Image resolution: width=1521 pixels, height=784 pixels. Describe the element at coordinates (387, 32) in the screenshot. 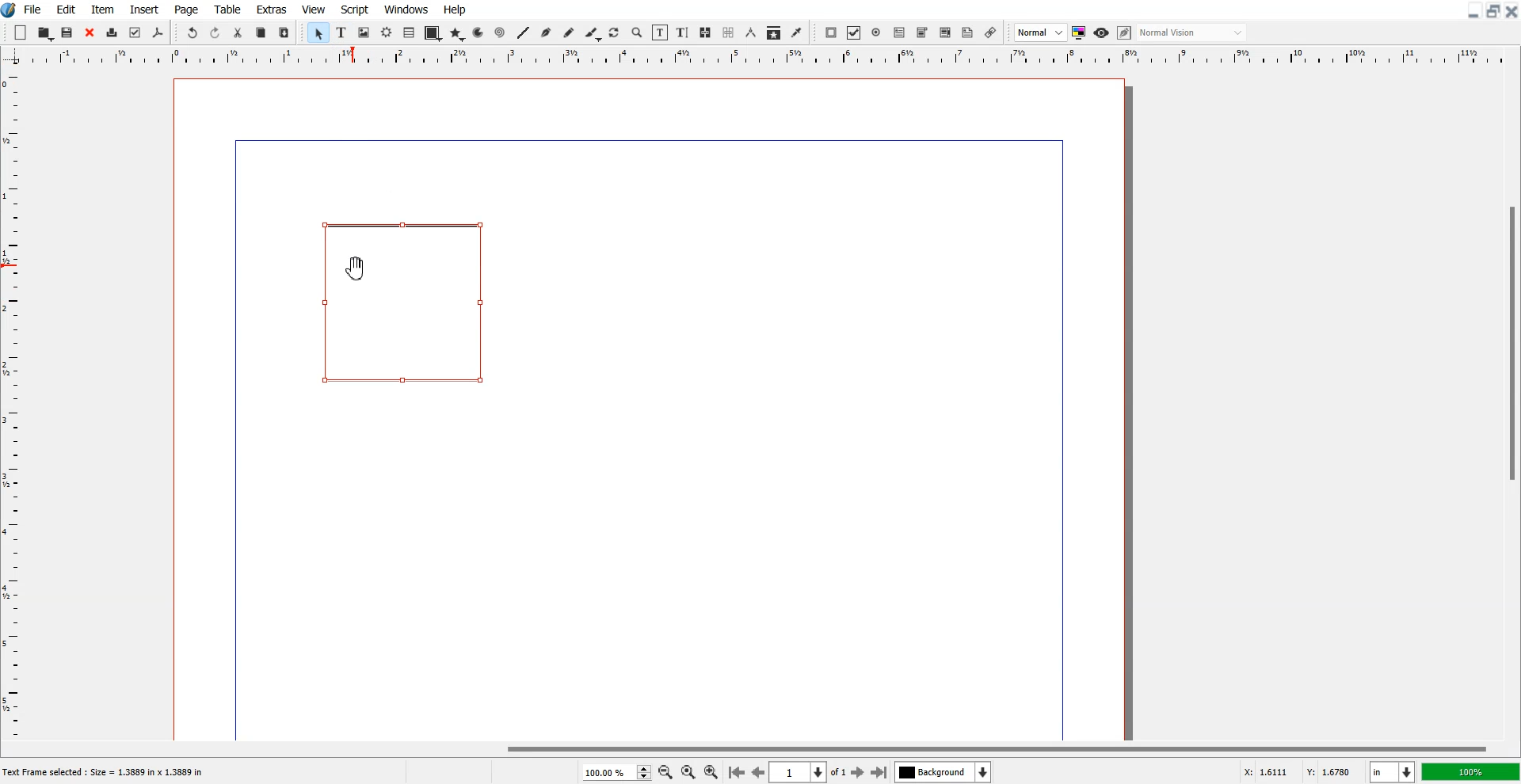

I see `Render frame` at that location.